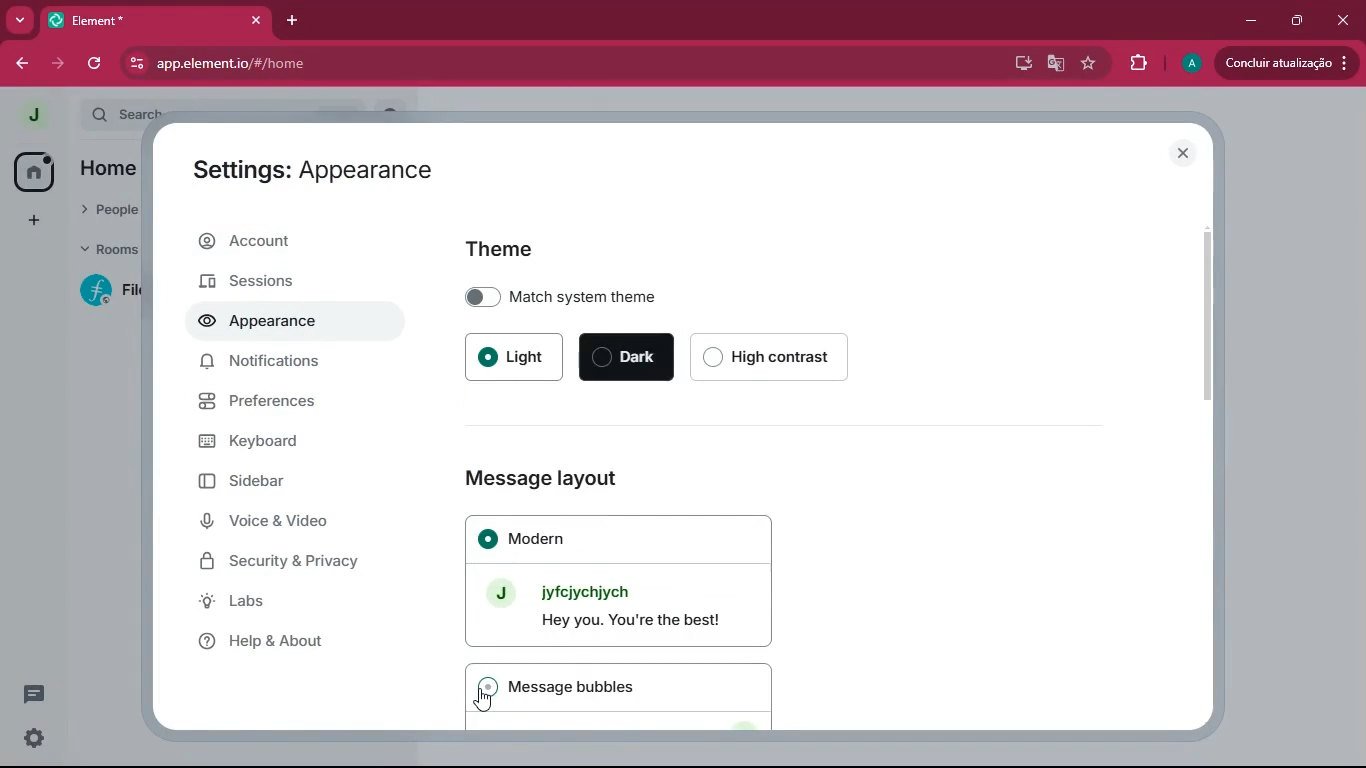  What do you see at coordinates (1254, 21) in the screenshot?
I see `minimize` at bounding box center [1254, 21].